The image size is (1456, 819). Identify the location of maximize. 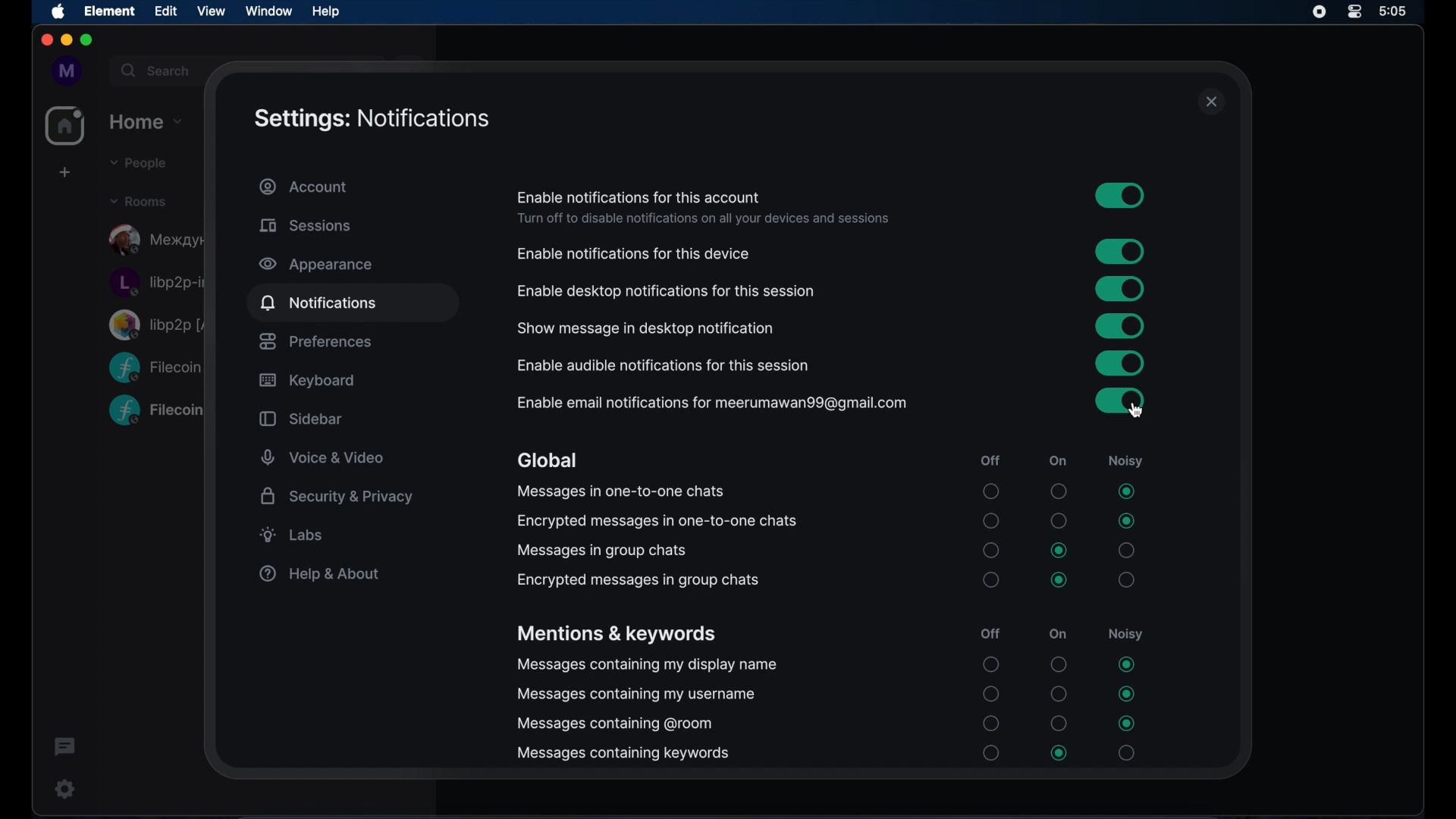
(88, 41).